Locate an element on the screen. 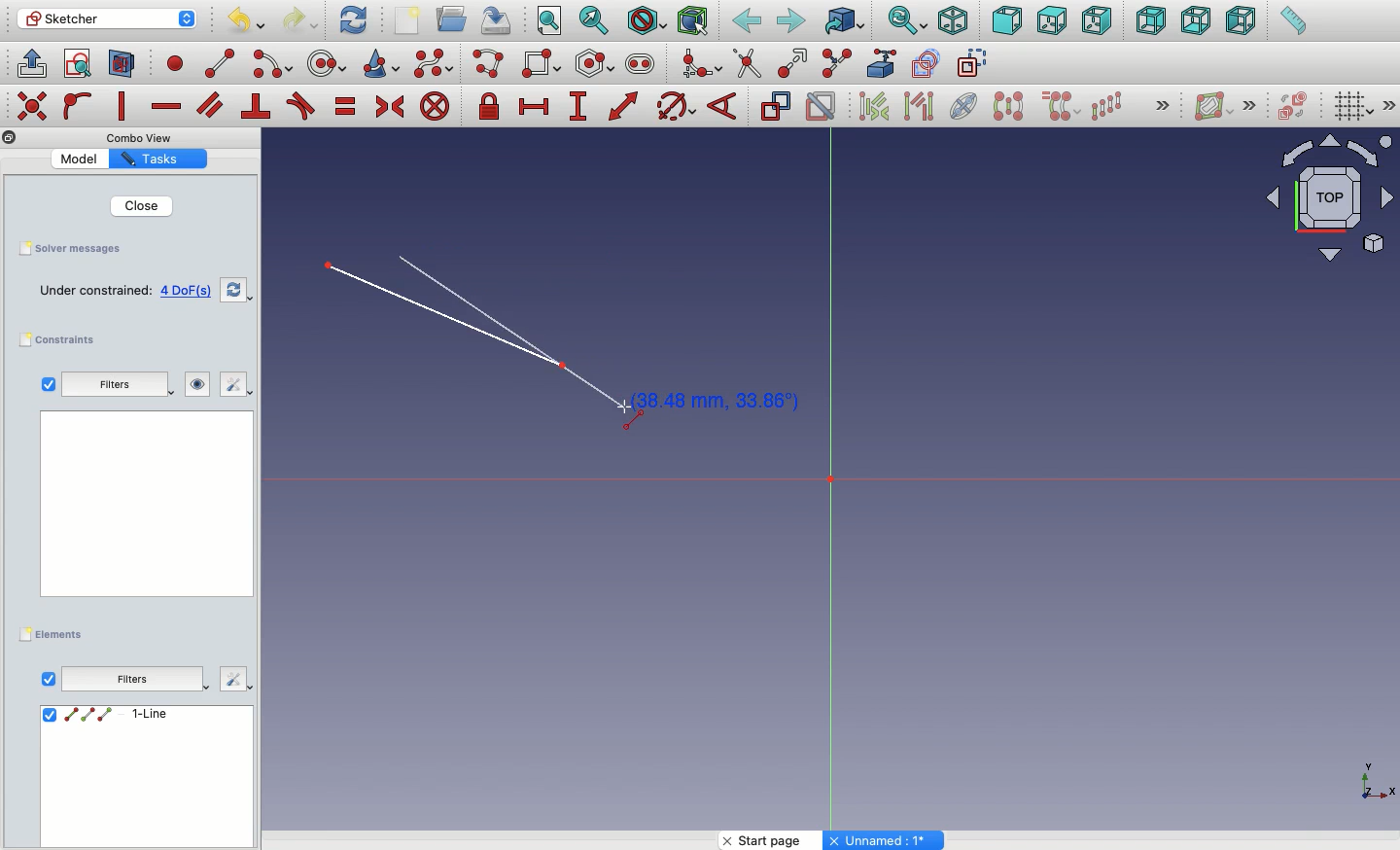 This screenshot has width=1400, height=850. Constrain point on to object is located at coordinates (78, 108).